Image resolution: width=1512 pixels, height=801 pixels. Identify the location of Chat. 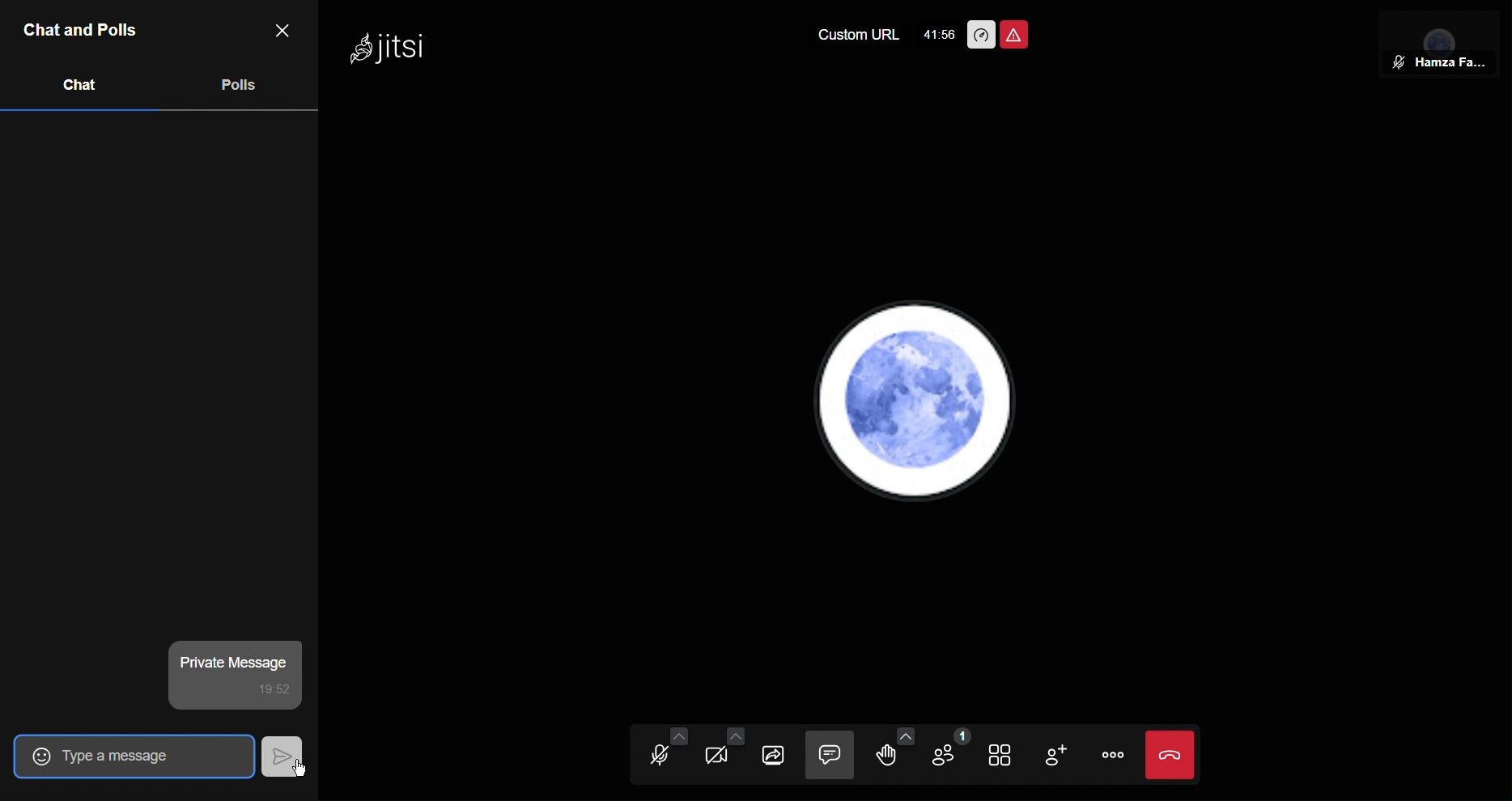
(829, 753).